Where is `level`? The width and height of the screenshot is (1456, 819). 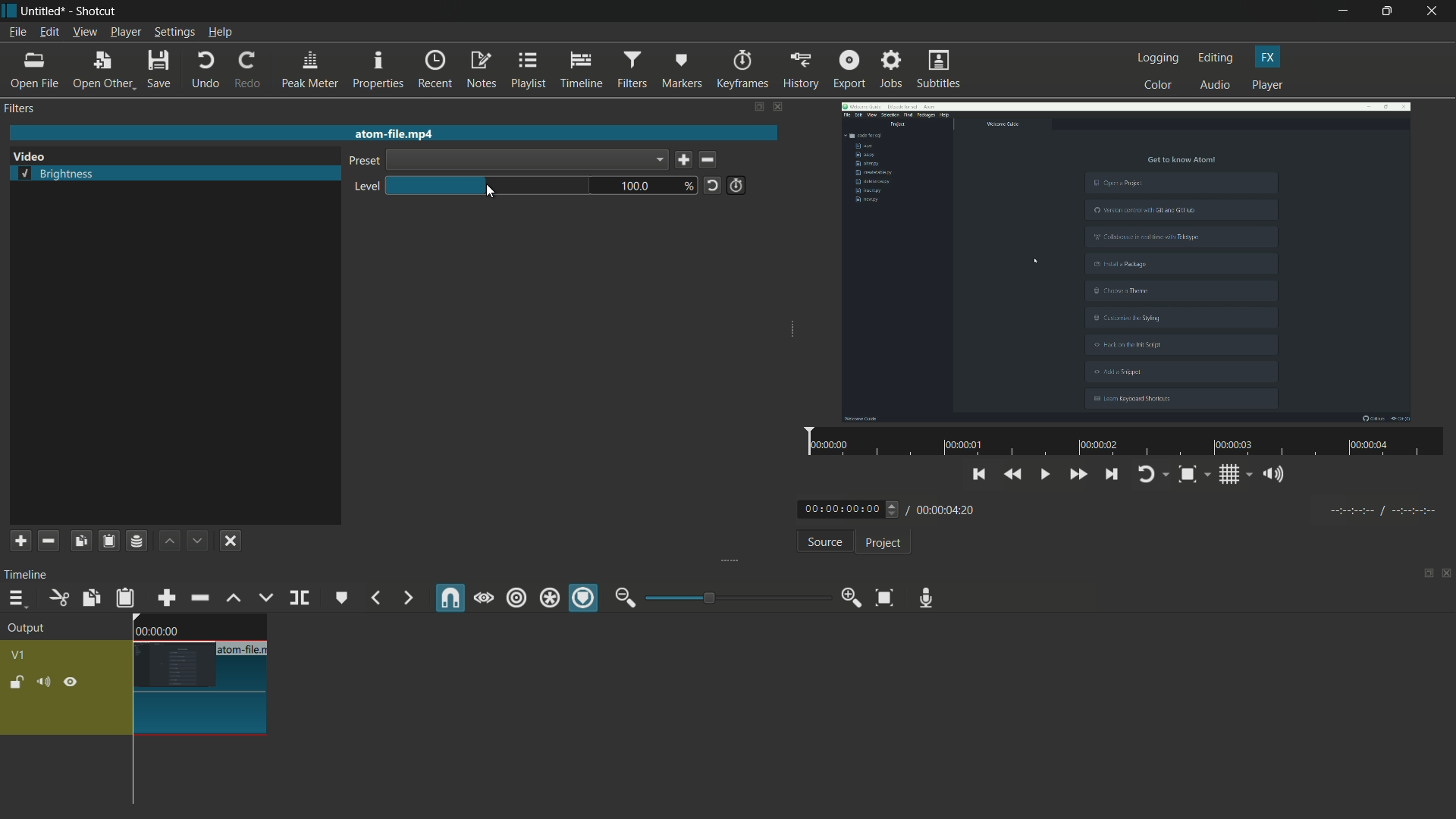 level is located at coordinates (363, 187).